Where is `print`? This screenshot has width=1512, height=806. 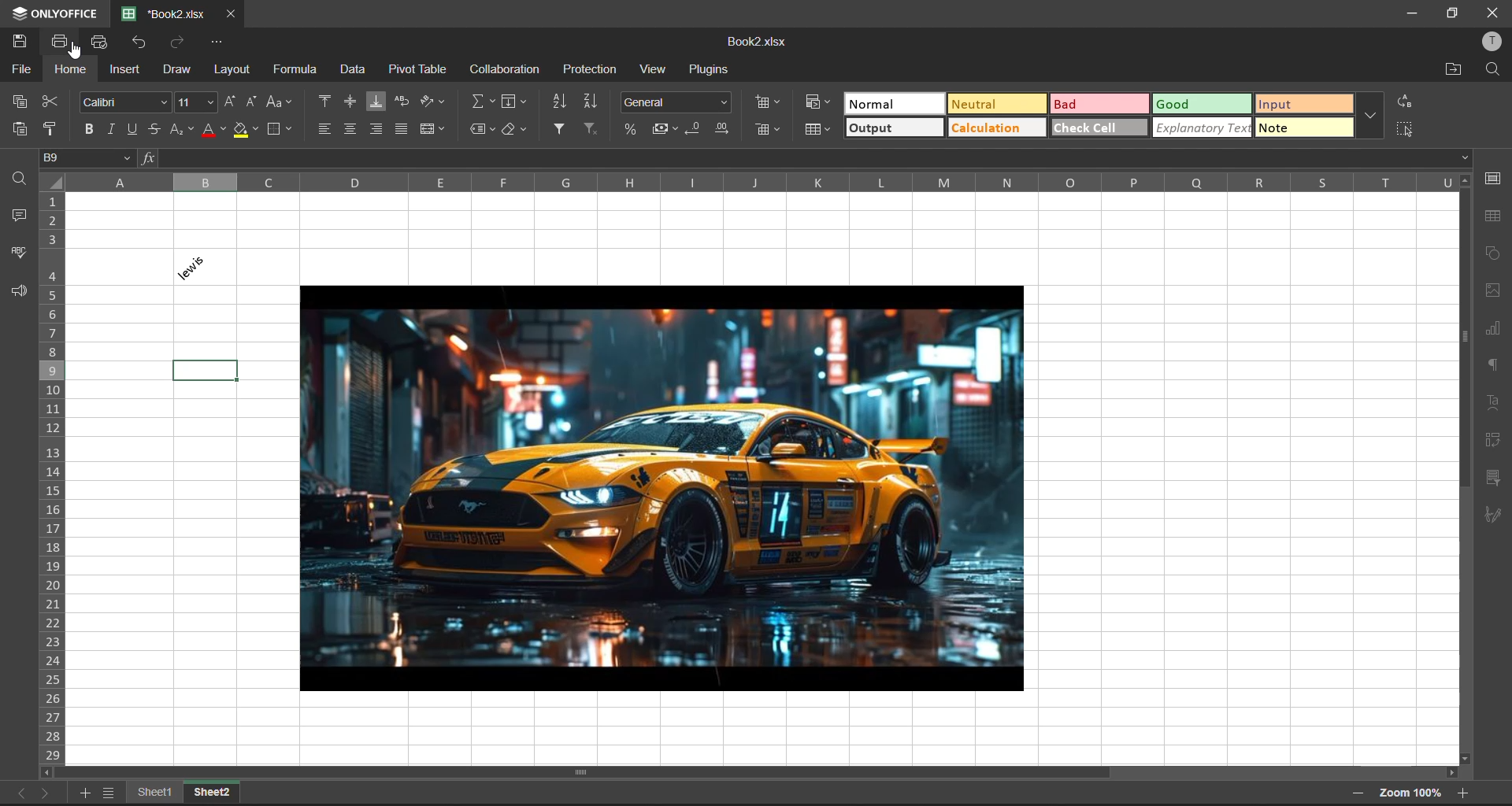
print is located at coordinates (59, 42).